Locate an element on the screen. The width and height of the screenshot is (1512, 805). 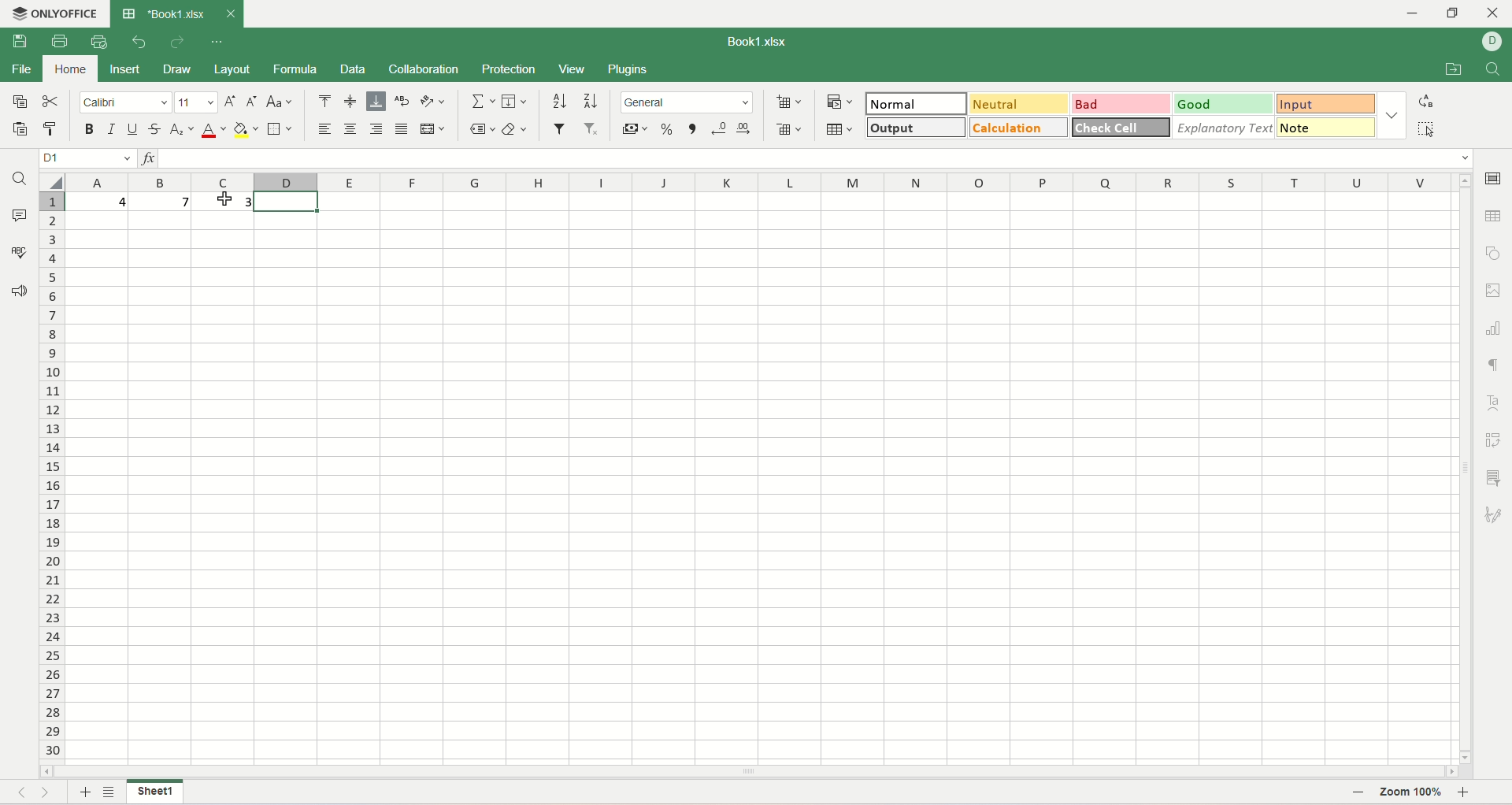
find is located at coordinates (20, 178).